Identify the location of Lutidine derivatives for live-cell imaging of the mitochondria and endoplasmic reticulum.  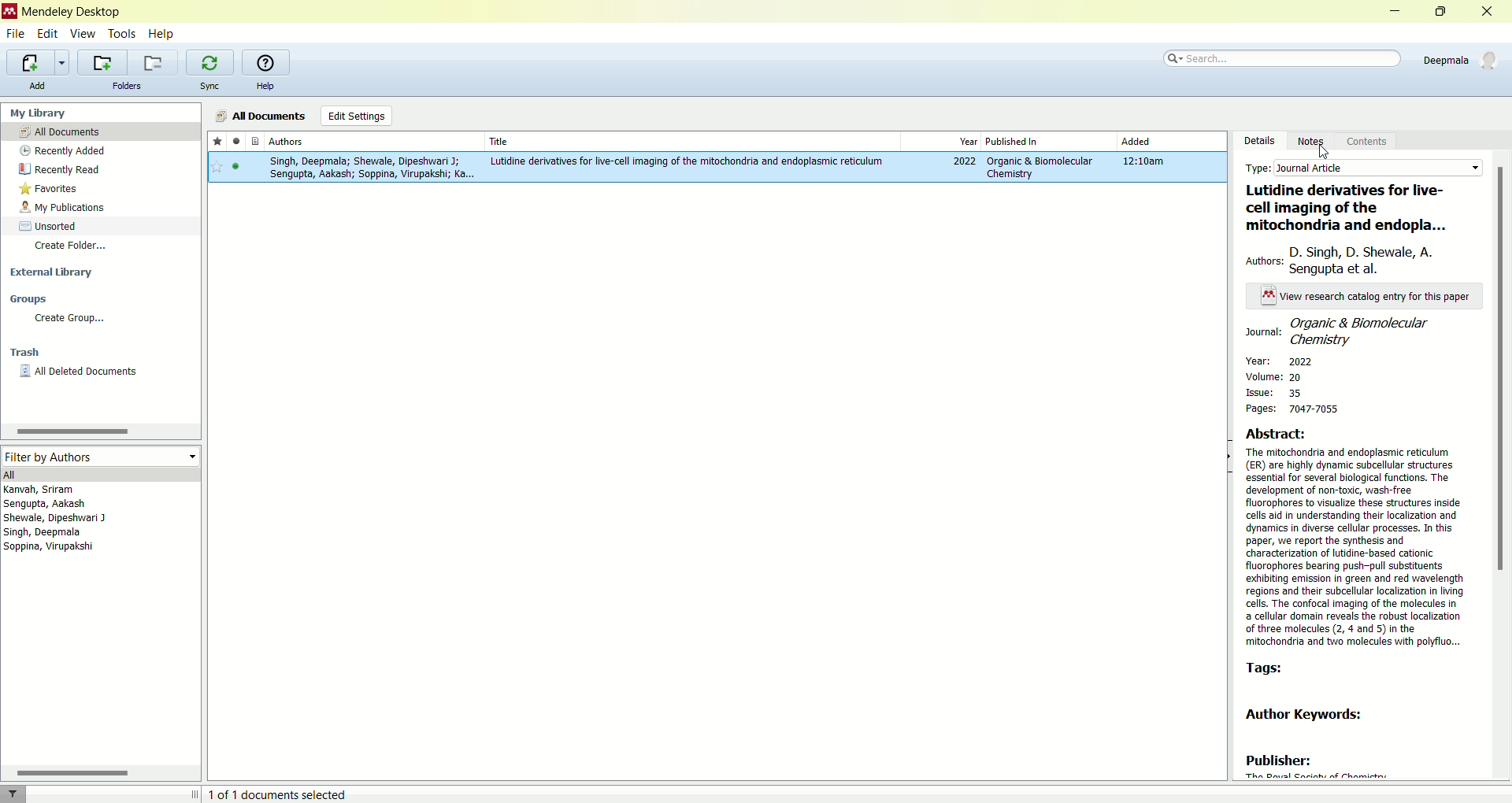
(688, 161).